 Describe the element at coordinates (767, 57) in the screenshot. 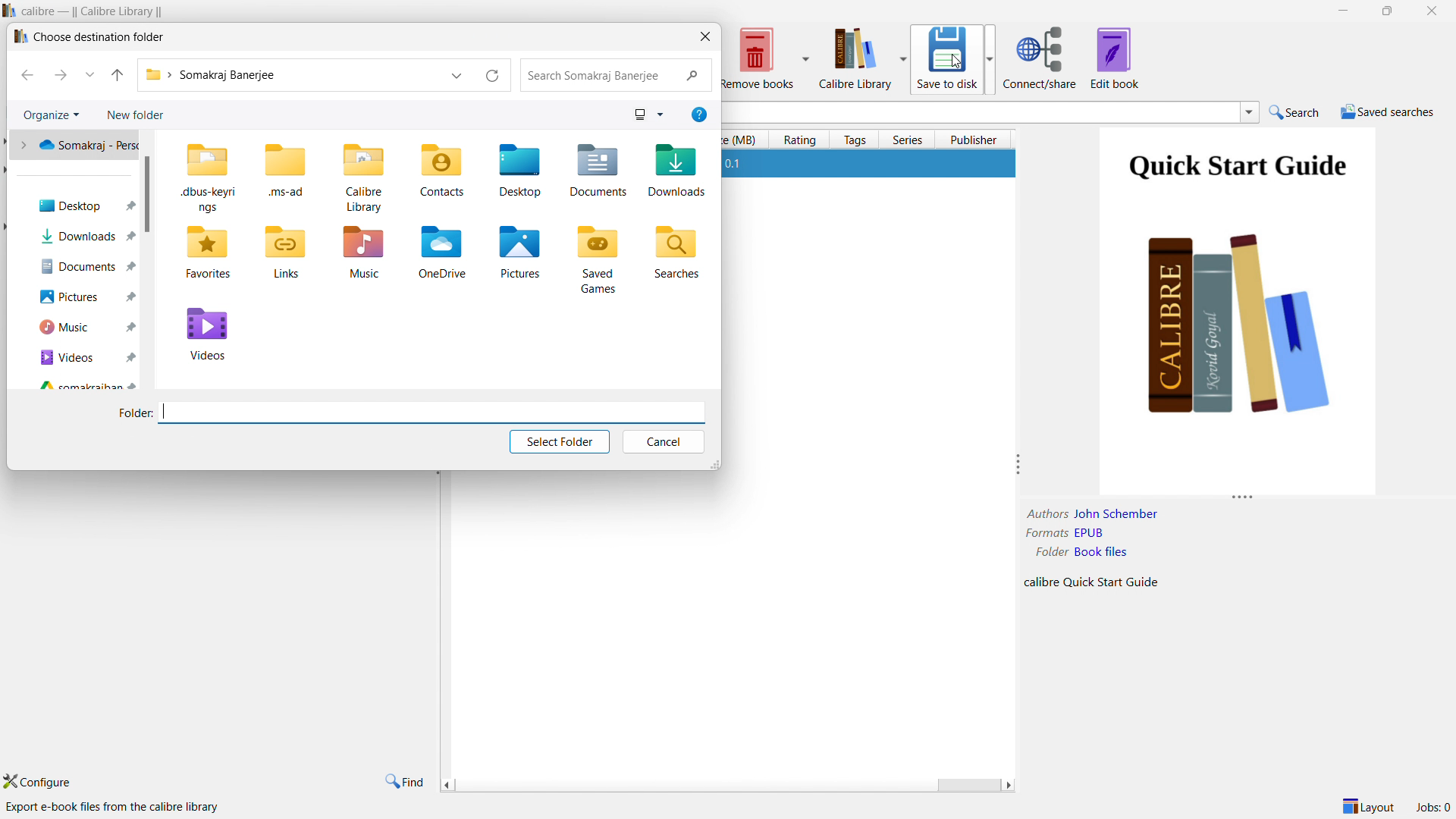

I see `remove books` at that location.